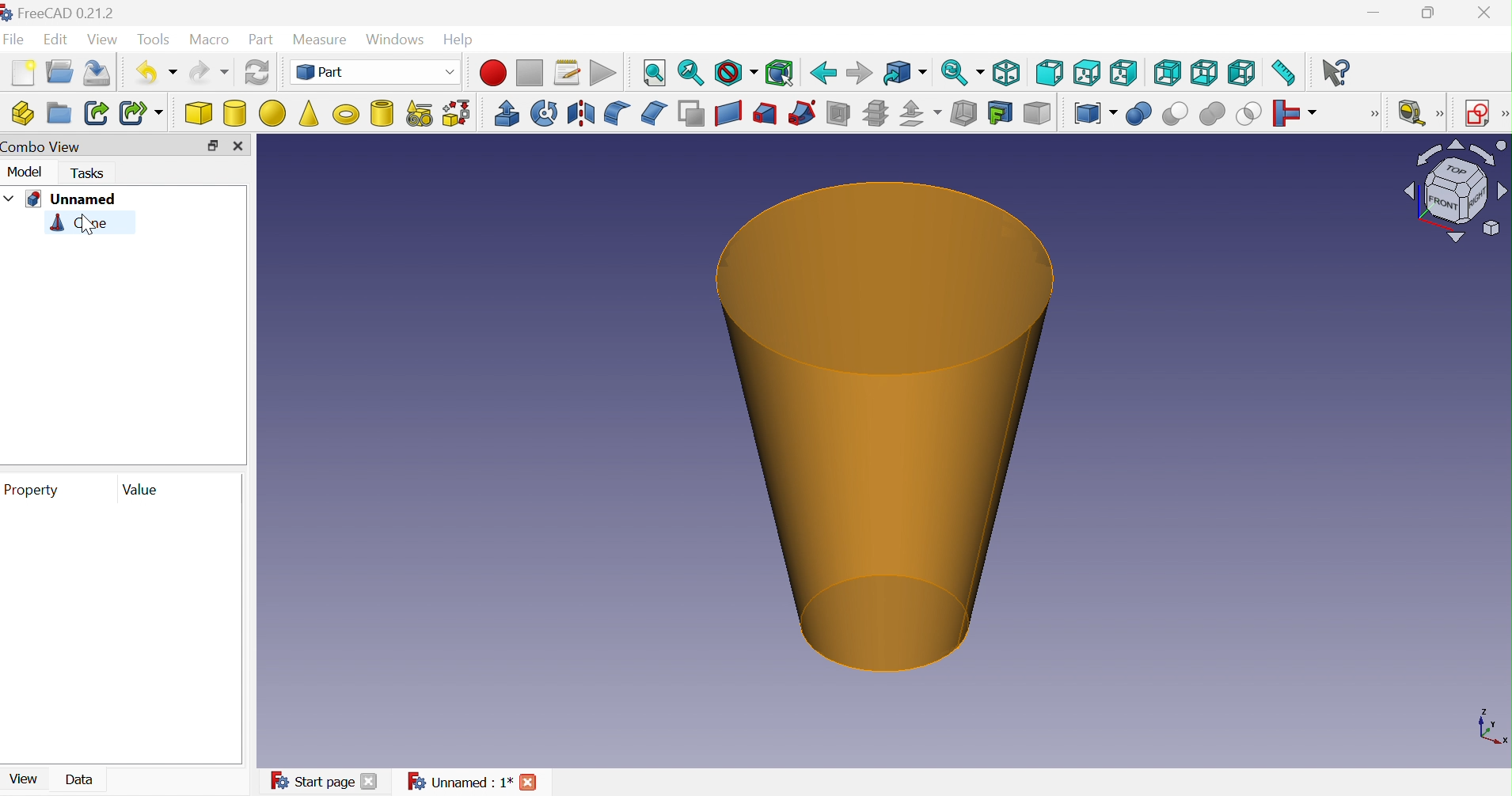  What do you see at coordinates (1203, 74) in the screenshot?
I see `Bottom` at bounding box center [1203, 74].